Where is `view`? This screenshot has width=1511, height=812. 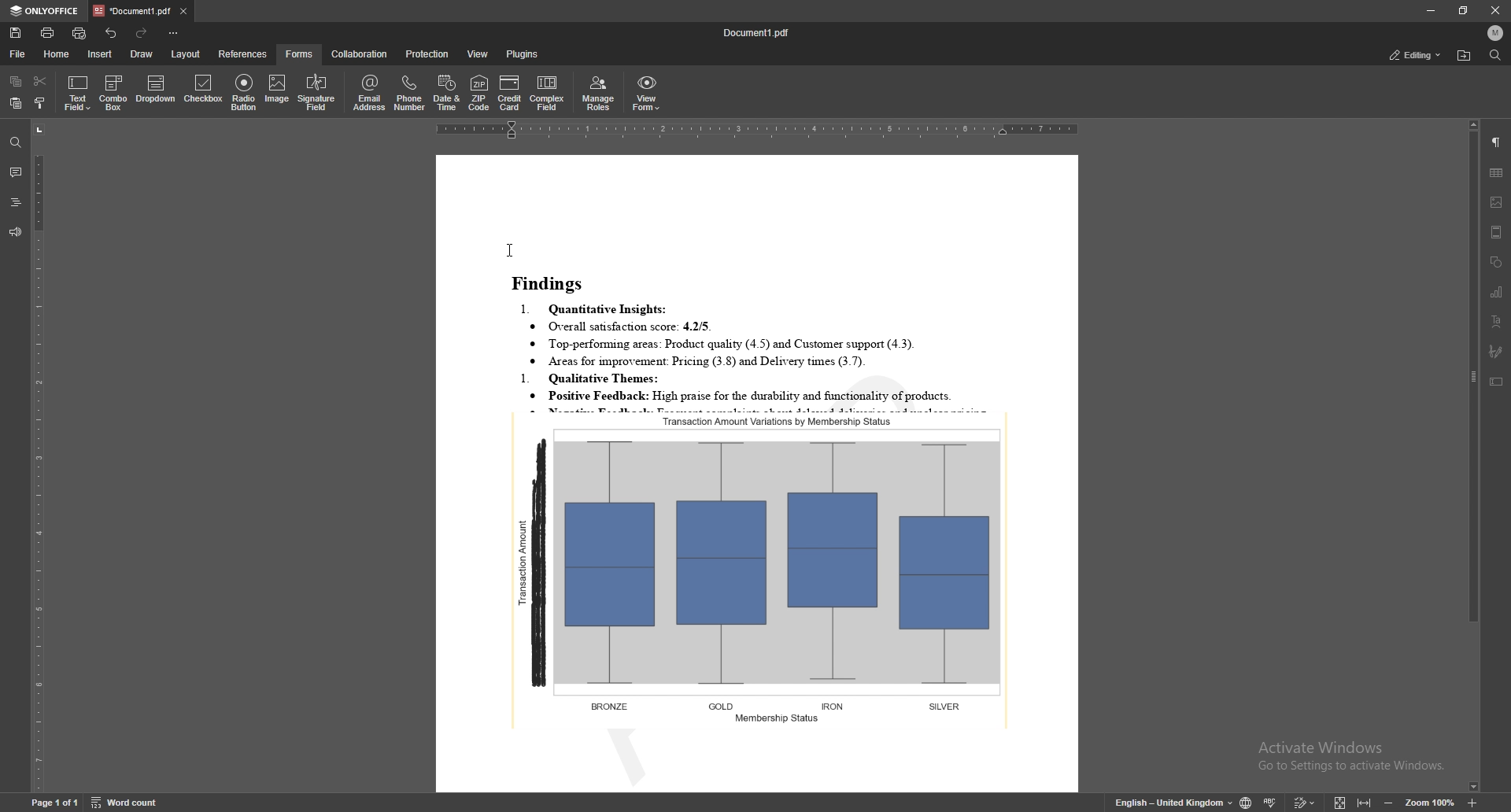
view is located at coordinates (479, 54).